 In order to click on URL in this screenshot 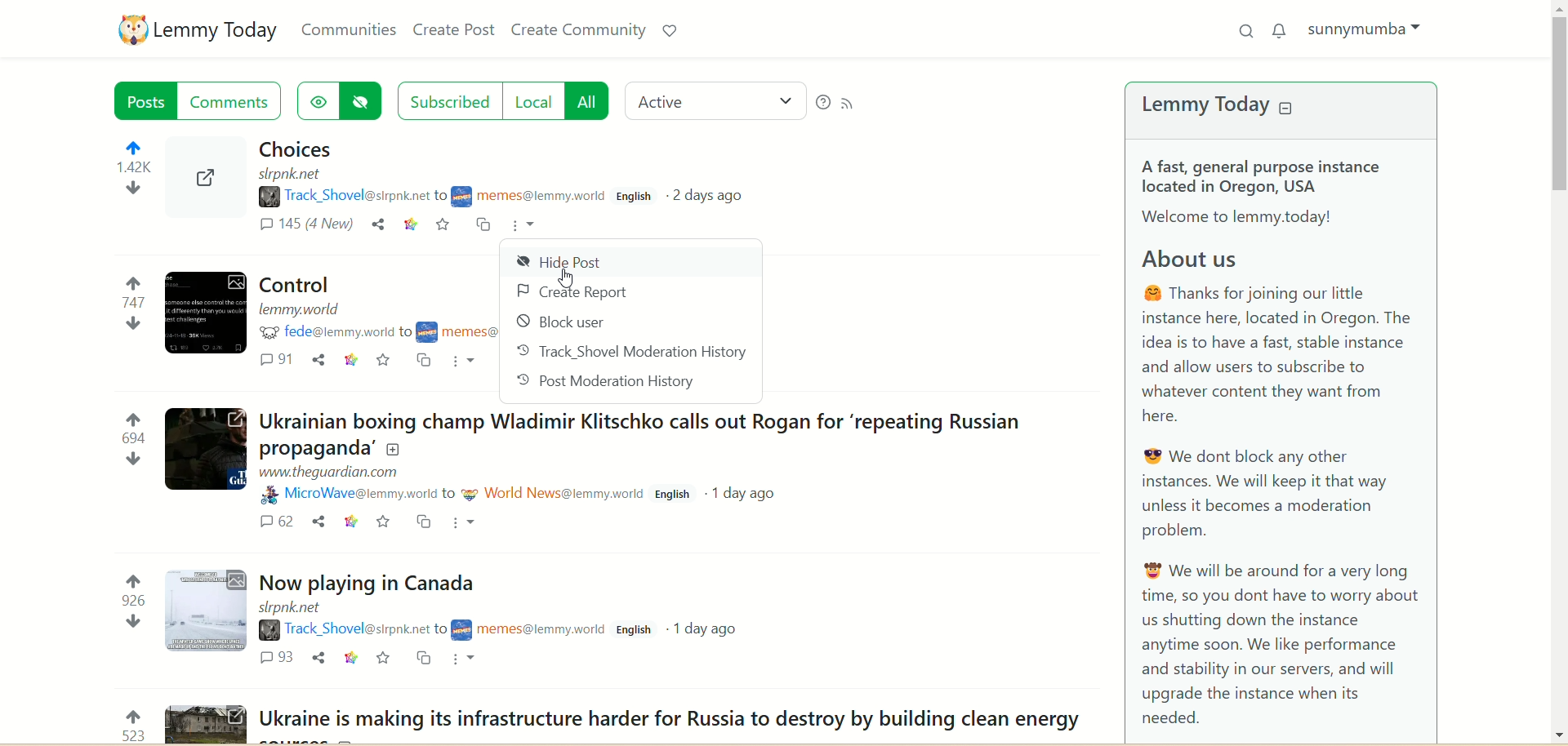, I will do `click(301, 310)`.